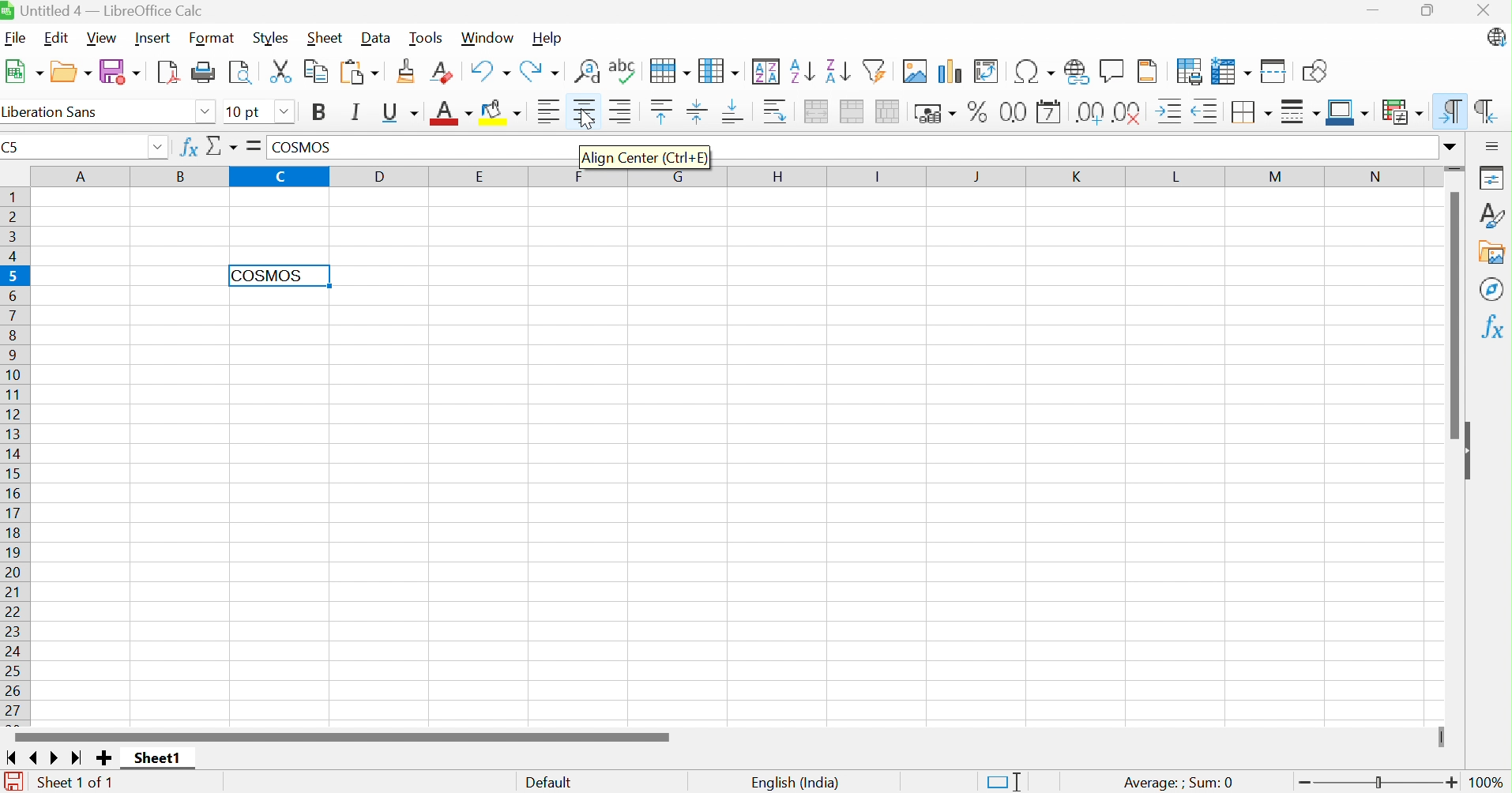 Image resolution: width=1512 pixels, height=793 pixels. Describe the element at coordinates (157, 147) in the screenshot. I see `Drop Down` at that location.